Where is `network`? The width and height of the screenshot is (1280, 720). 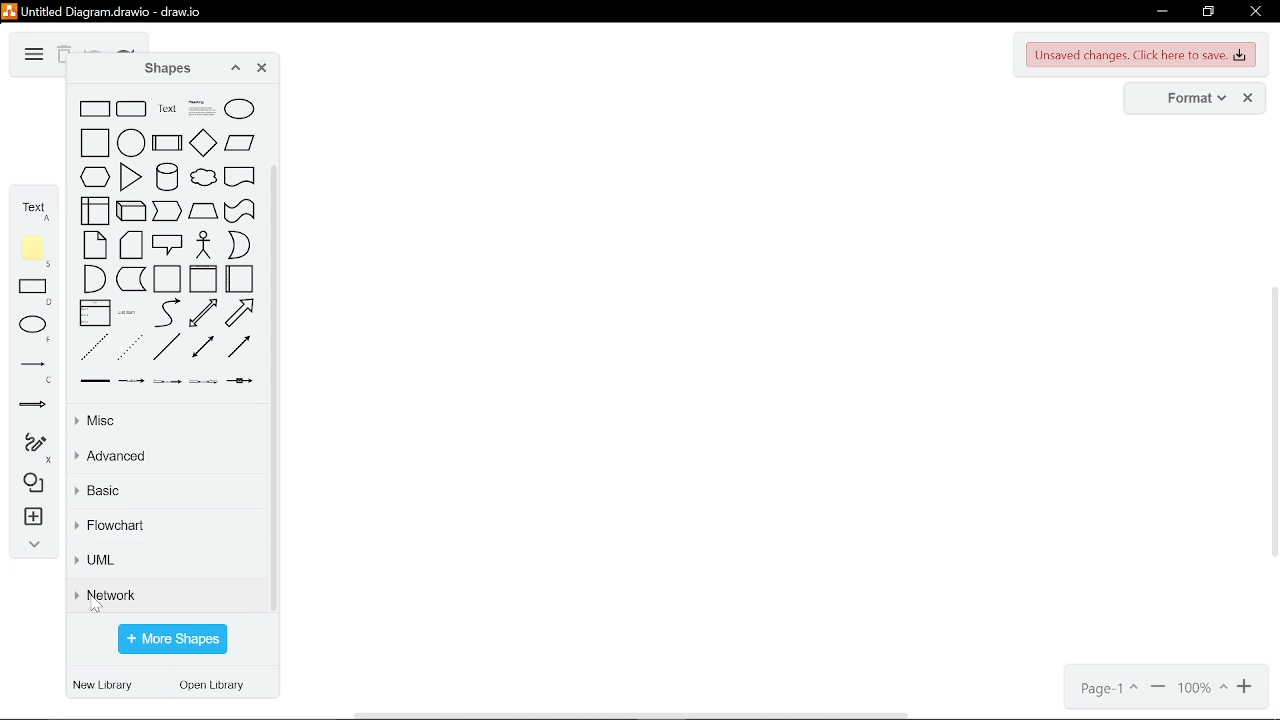
network is located at coordinates (168, 594).